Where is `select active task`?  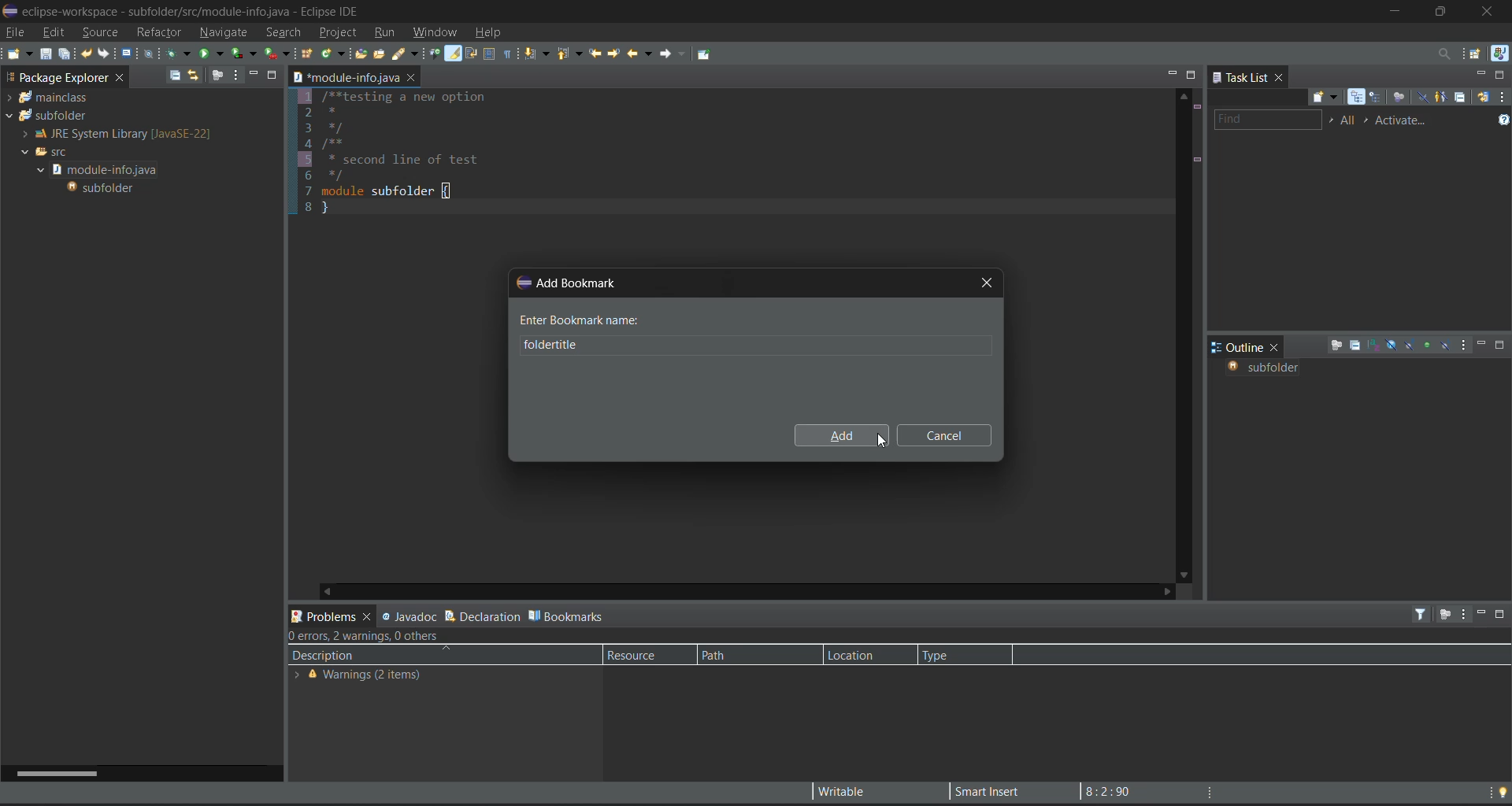
select active task is located at coordinates (1370, 120).